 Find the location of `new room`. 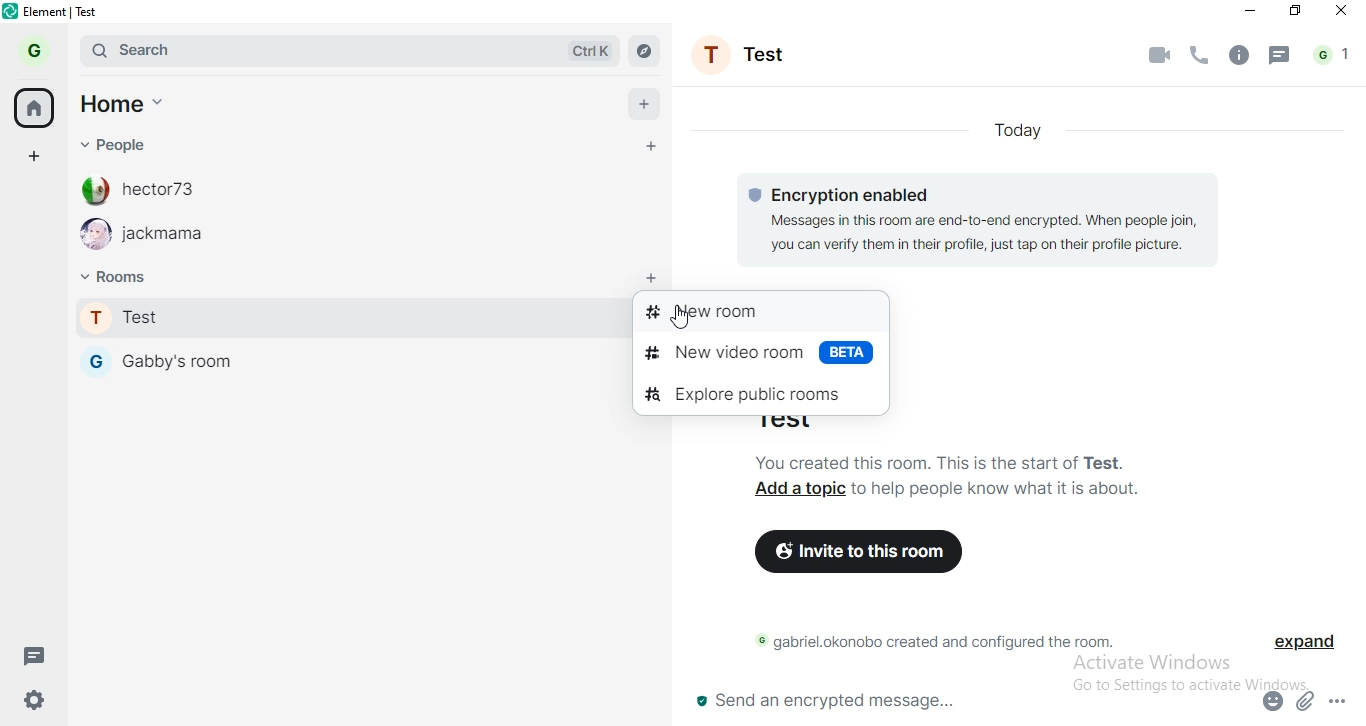

new room is located at coordinates (762, 311).